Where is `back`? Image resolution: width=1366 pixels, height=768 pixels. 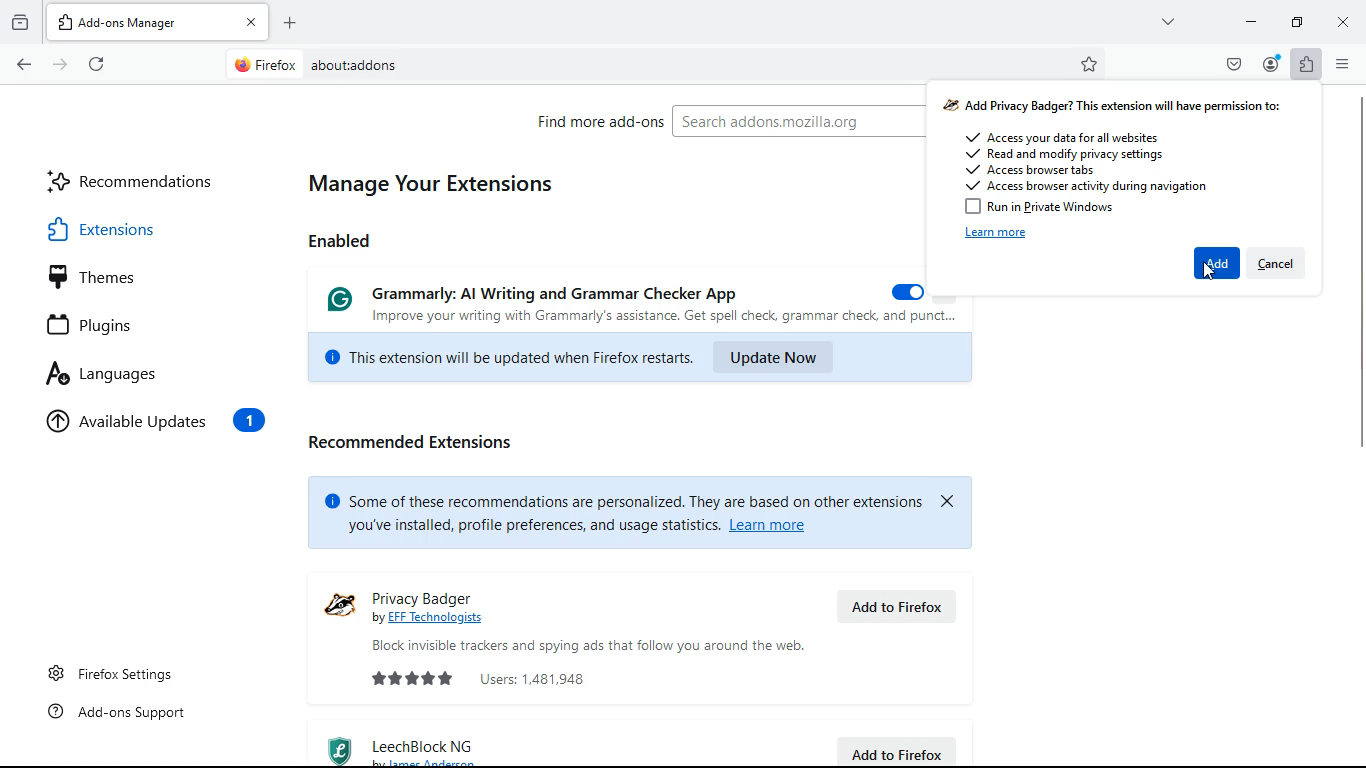 back is located at coordinates (19, 66).